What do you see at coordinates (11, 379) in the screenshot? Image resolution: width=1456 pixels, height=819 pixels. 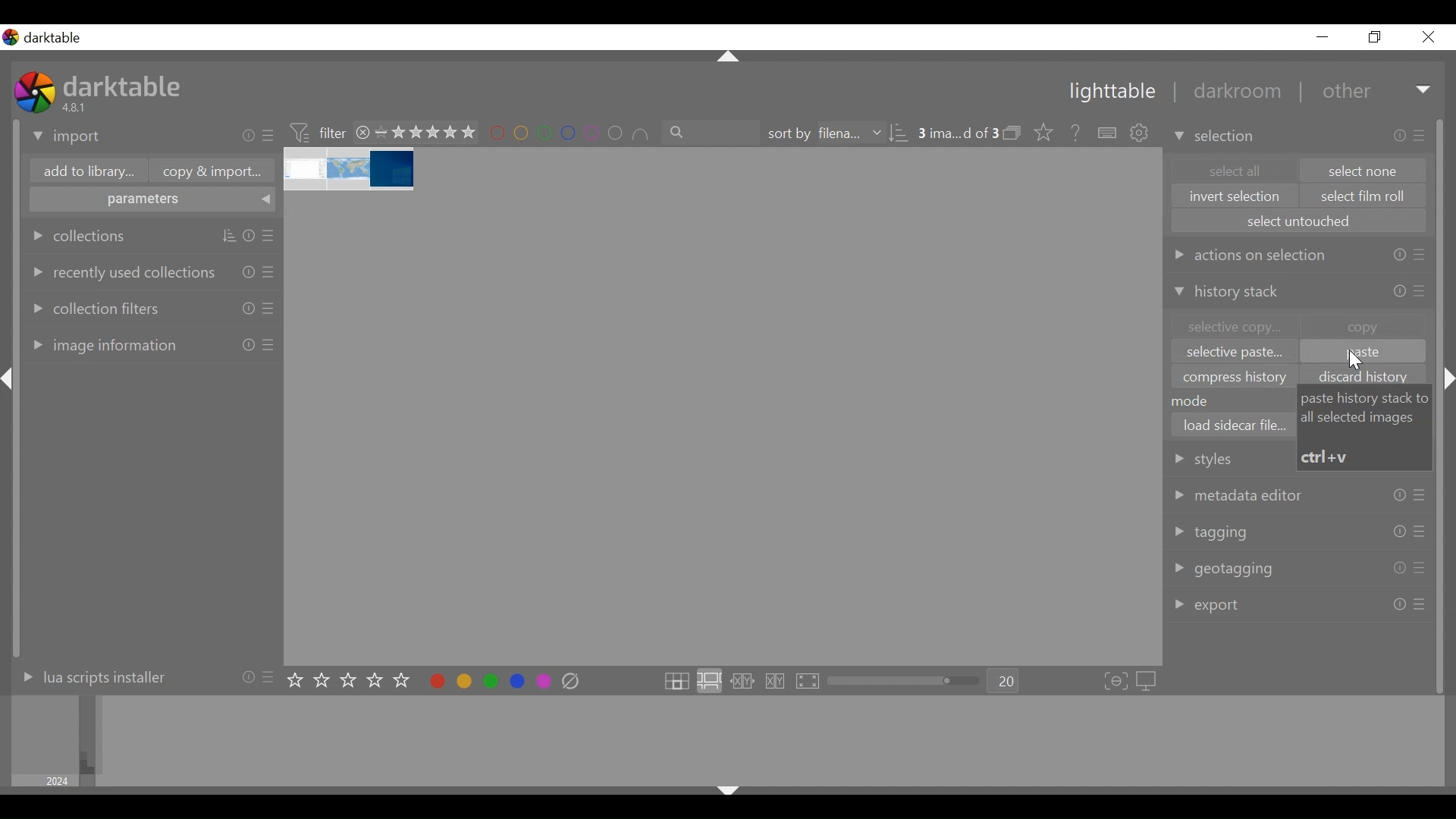 I see `Collapse ` at bounding box center [11, 379].